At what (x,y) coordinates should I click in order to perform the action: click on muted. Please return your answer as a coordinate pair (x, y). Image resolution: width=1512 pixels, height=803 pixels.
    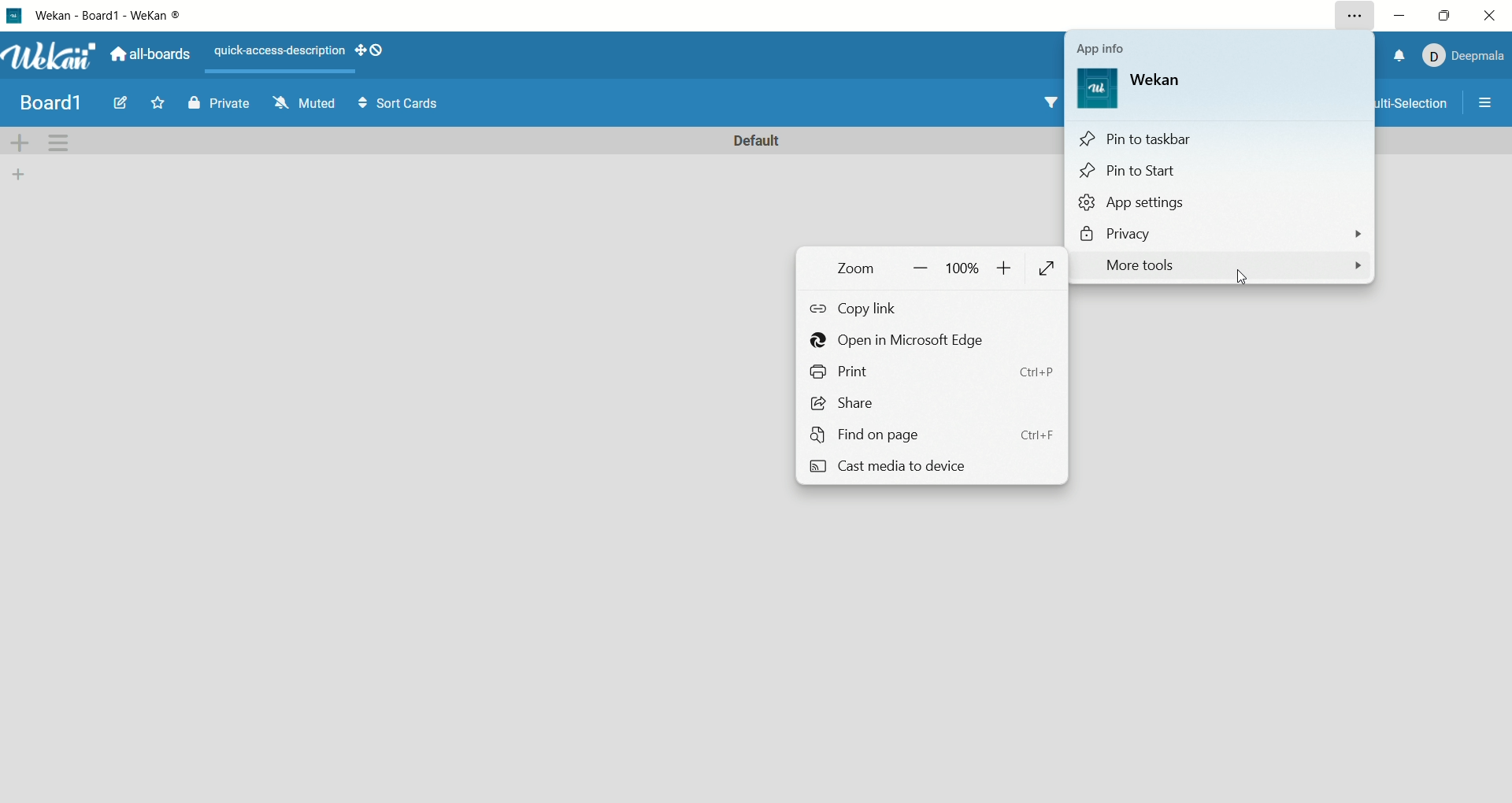
    Looking at the image, I should click on (305, 101).